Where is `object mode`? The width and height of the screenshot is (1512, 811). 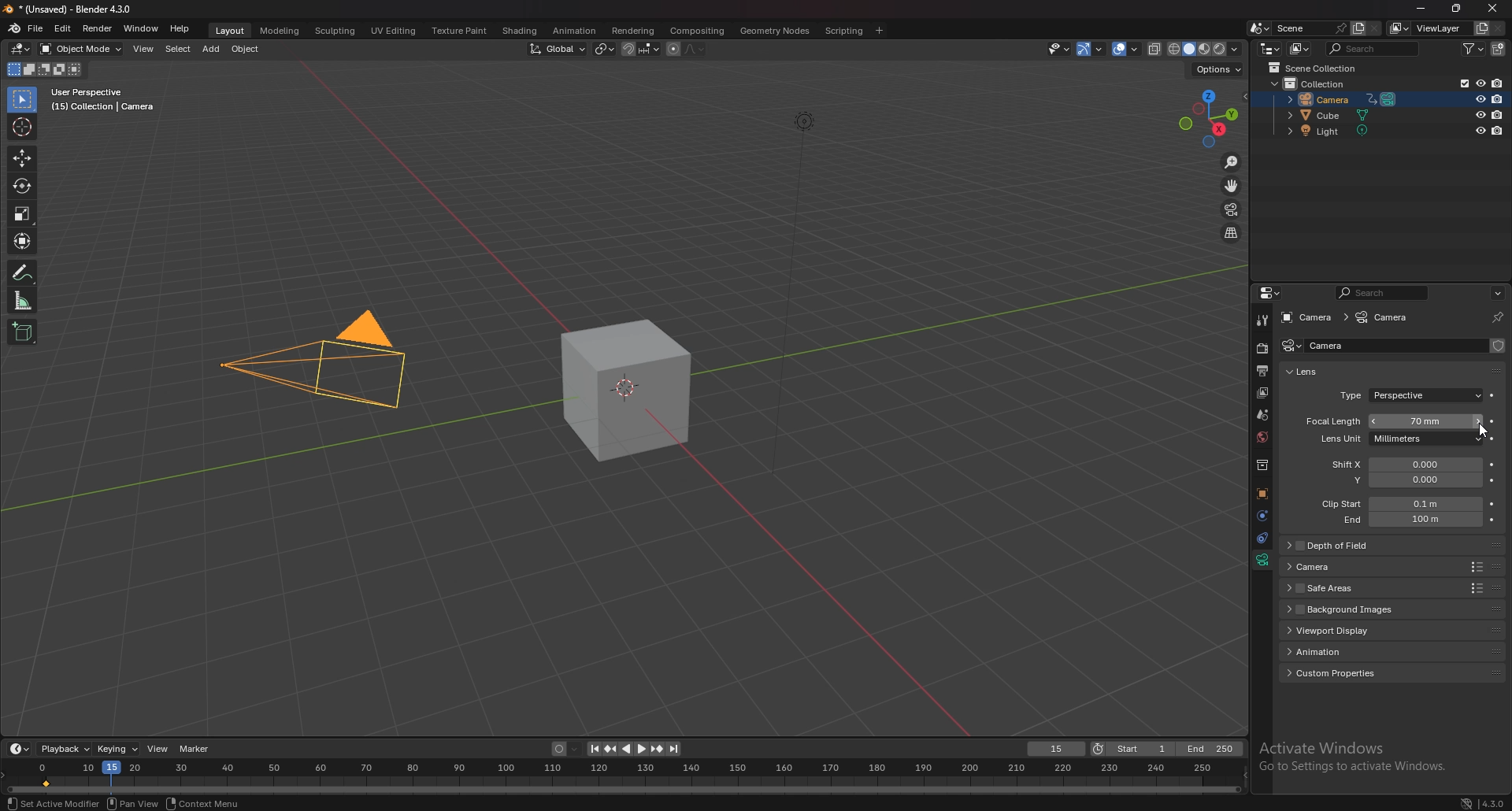 object mode is located at coordinates (80, 49).